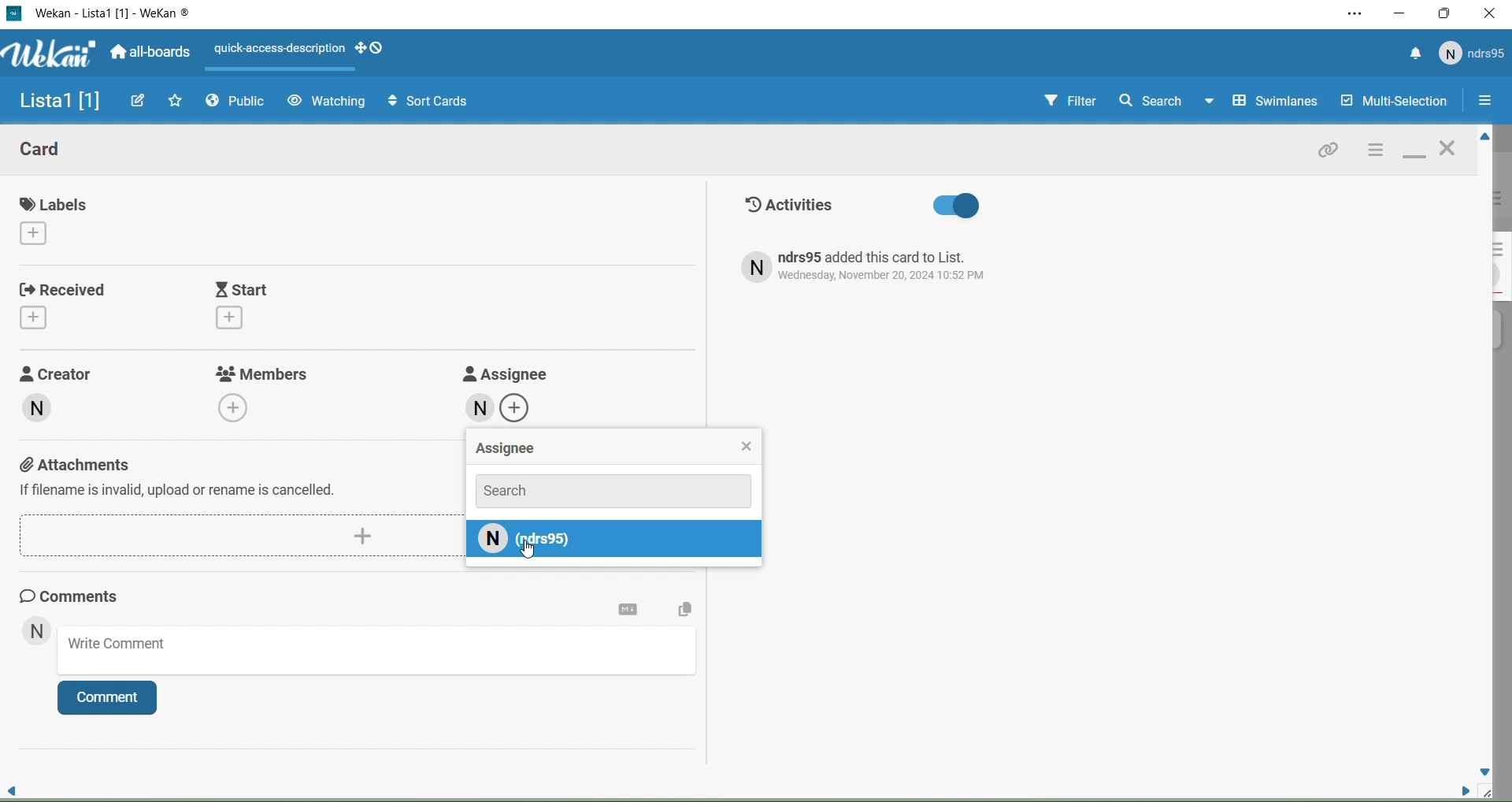  I want to click on Minimize, so click(1400, 13).